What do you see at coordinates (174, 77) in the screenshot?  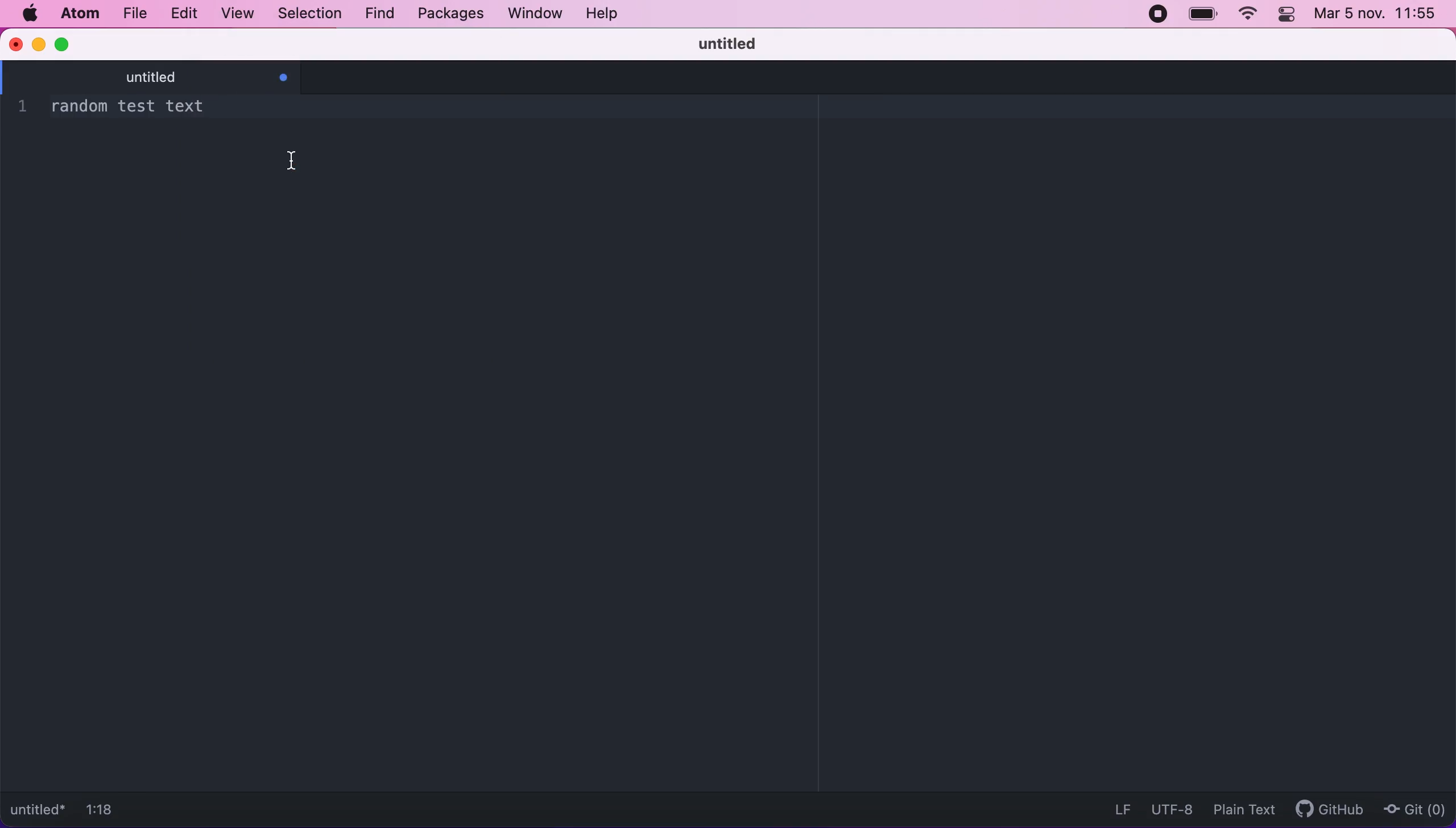 I see `untitled` at bounding box center [174, 77].